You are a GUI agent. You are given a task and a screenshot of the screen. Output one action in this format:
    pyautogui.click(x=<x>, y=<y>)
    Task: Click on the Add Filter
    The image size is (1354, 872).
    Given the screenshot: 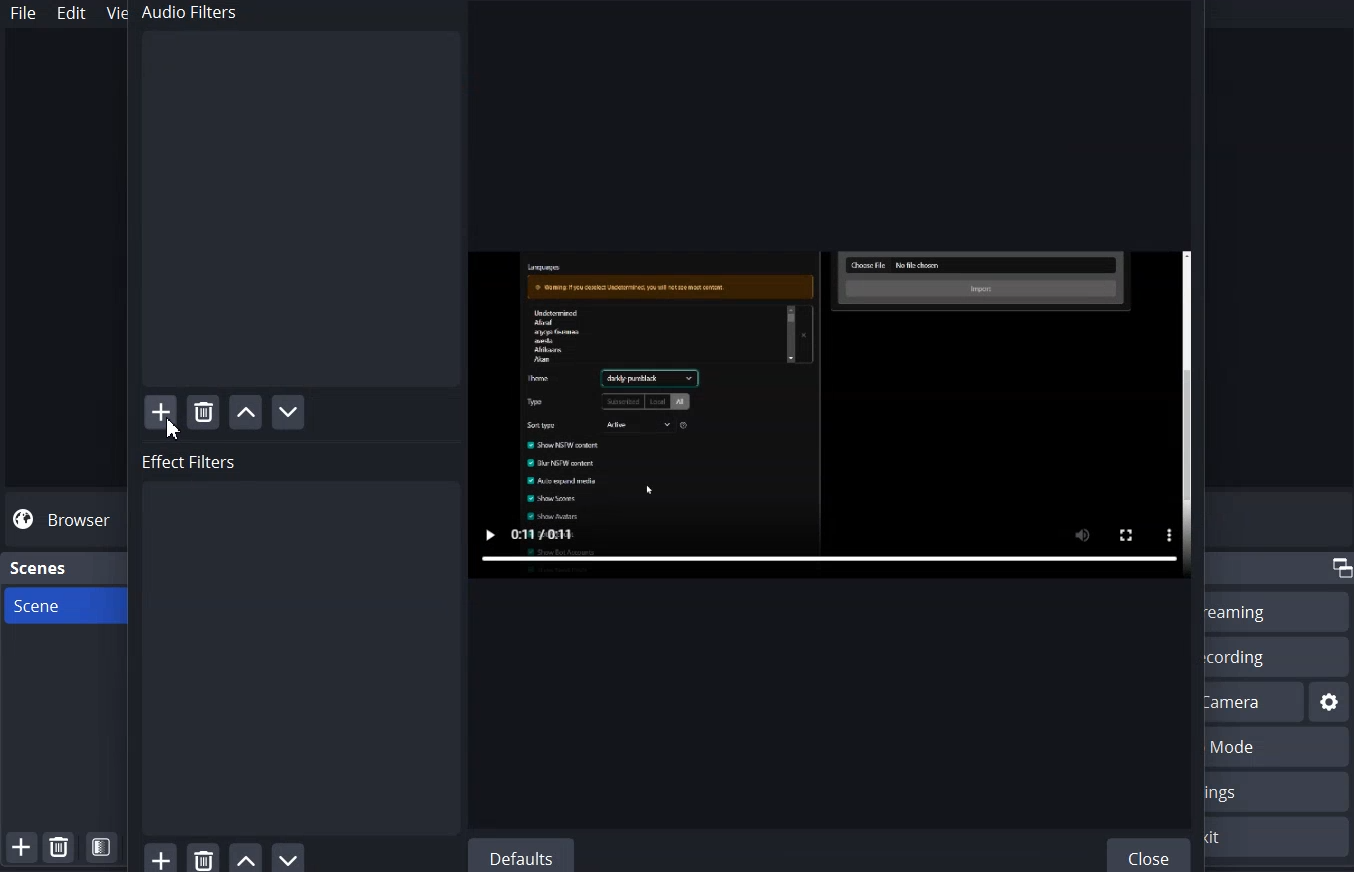 What is the action you would take?
    pyautogui.click(x=160, y=412)
    